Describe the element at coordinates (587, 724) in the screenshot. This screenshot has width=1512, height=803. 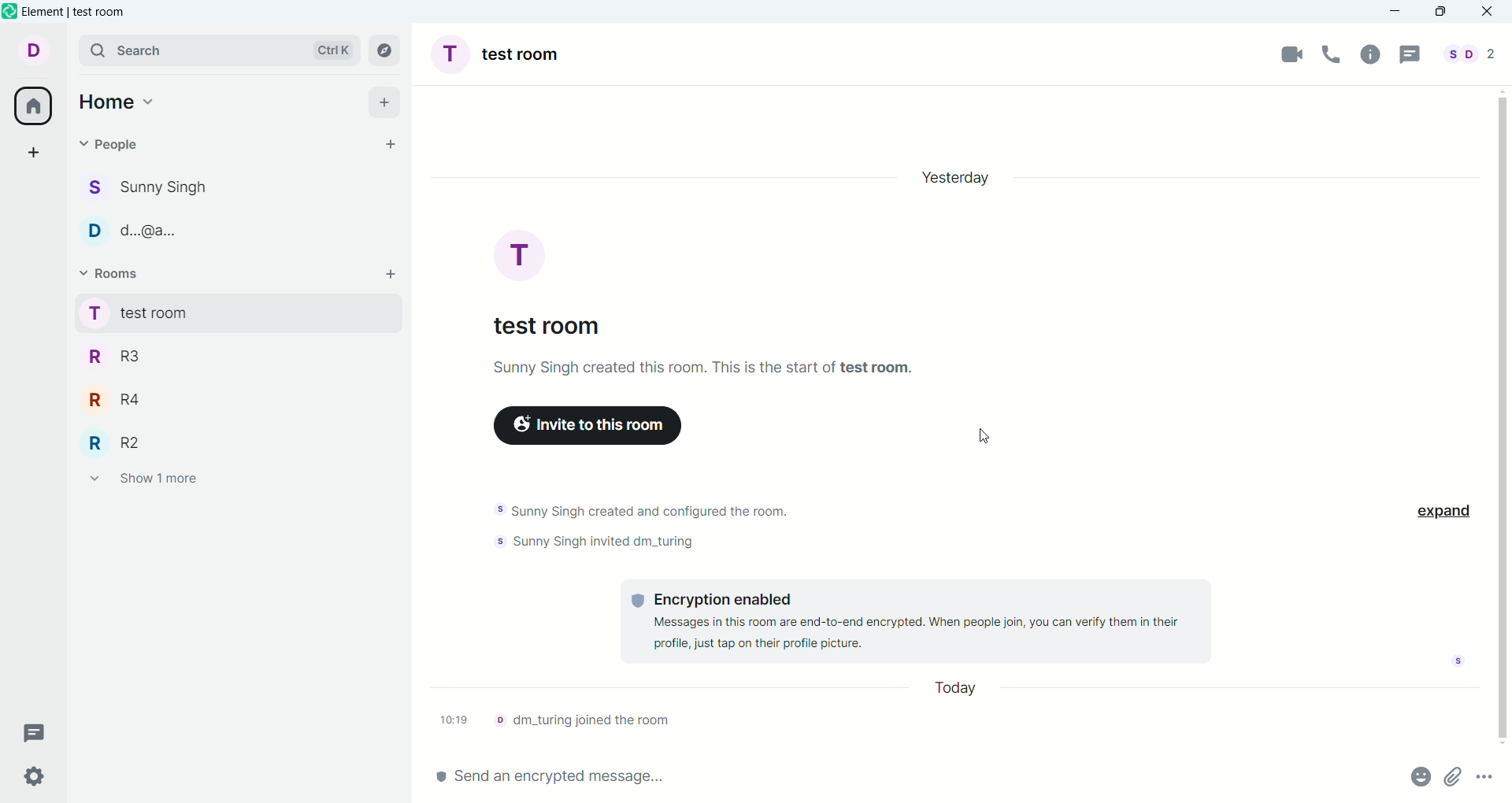
I see `text` at that location.